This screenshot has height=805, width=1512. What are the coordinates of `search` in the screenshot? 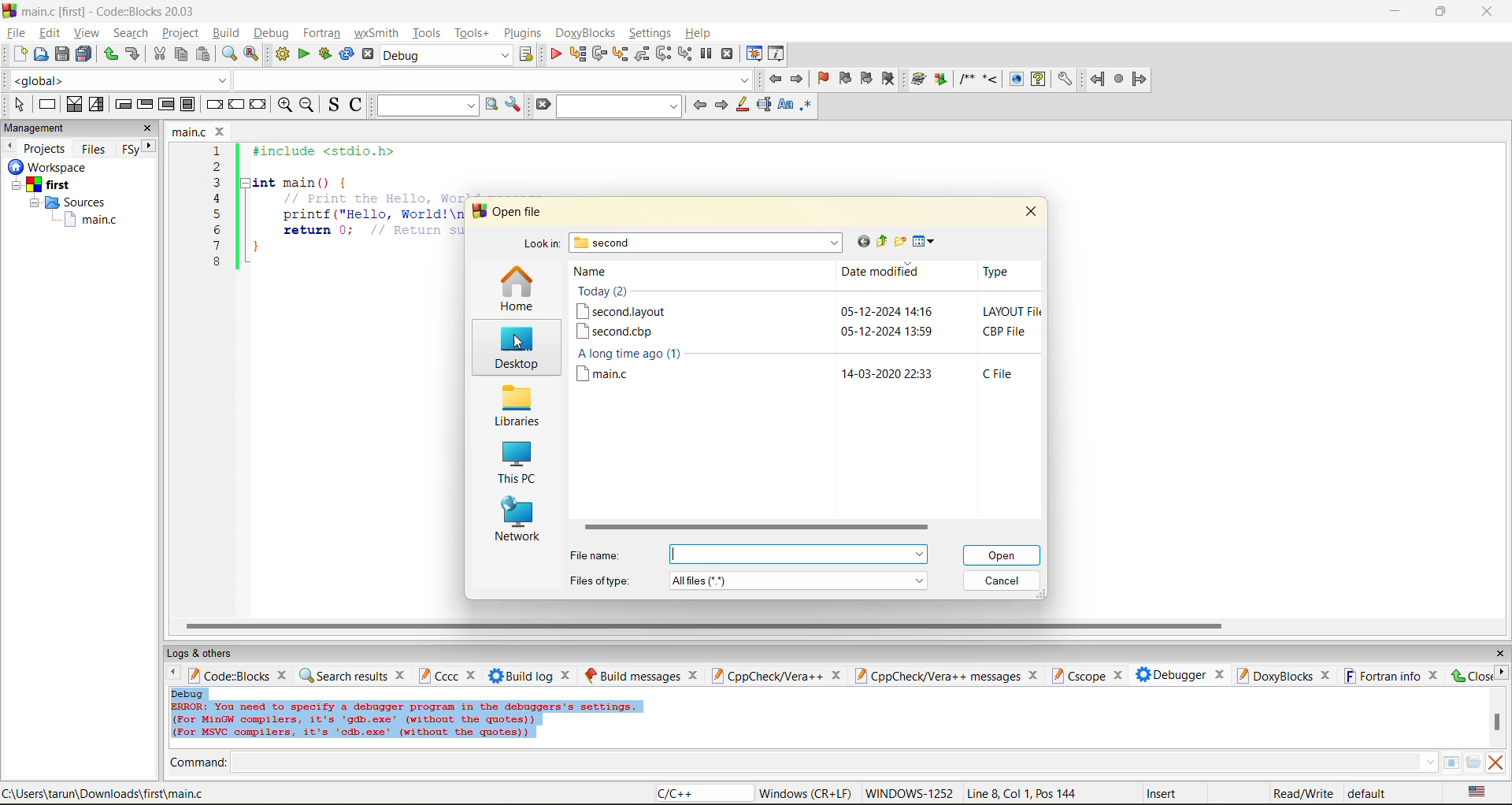 It's located at (131, 32).